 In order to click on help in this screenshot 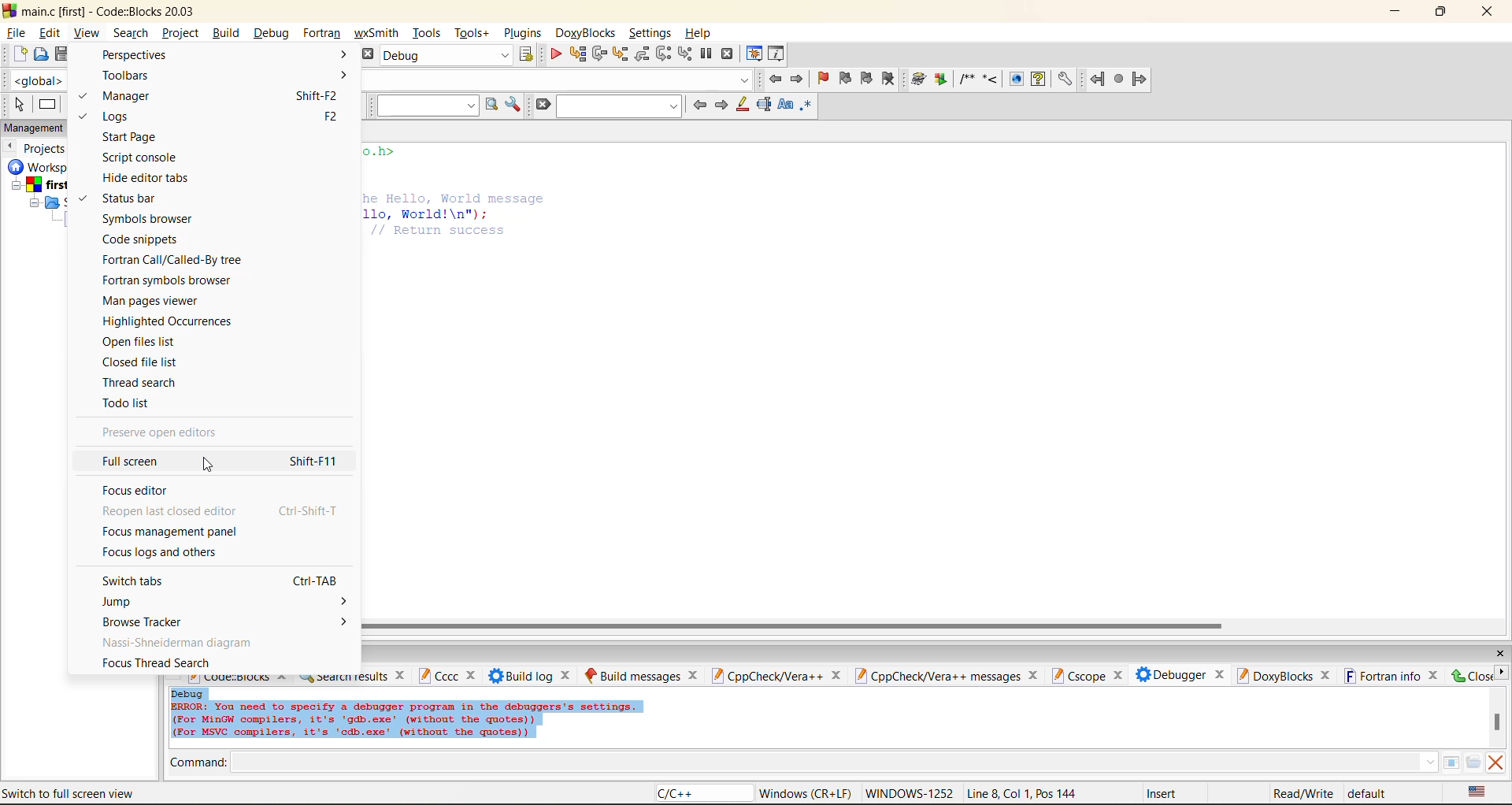, I will do `click(702, 32)`.